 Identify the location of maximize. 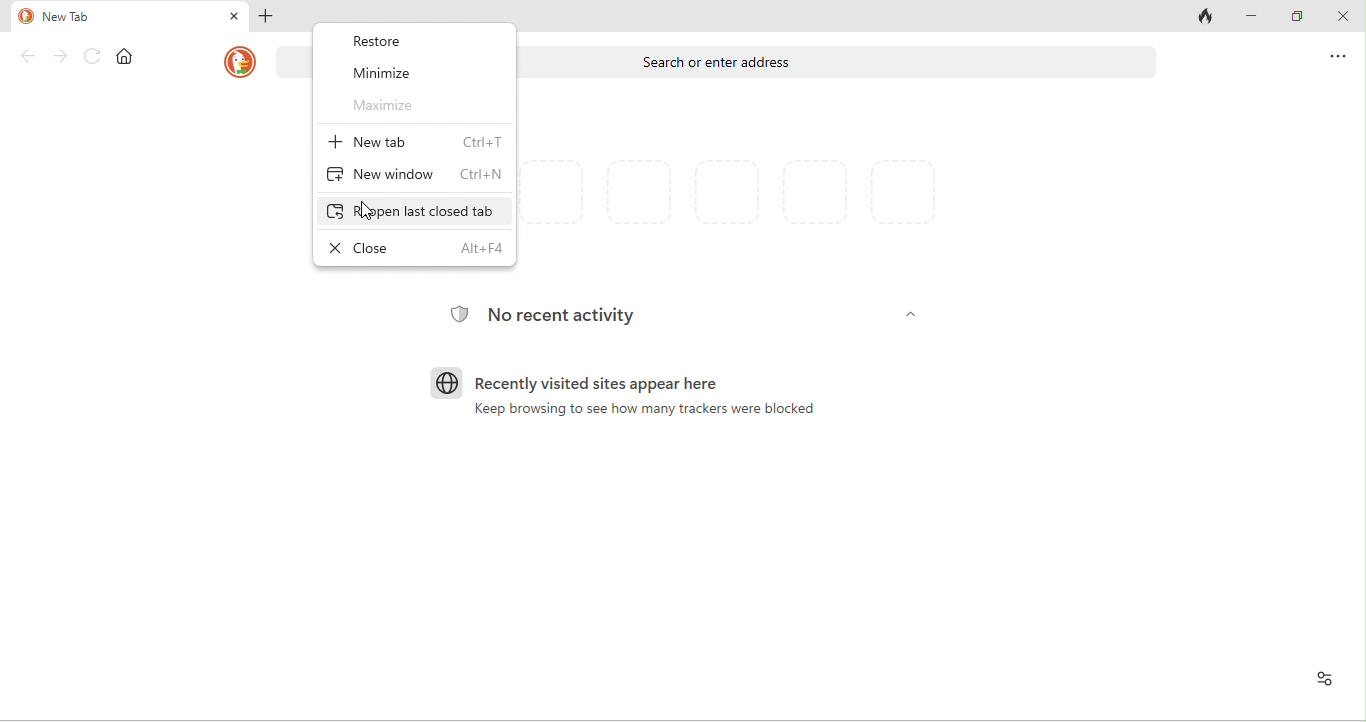
(390, 108).